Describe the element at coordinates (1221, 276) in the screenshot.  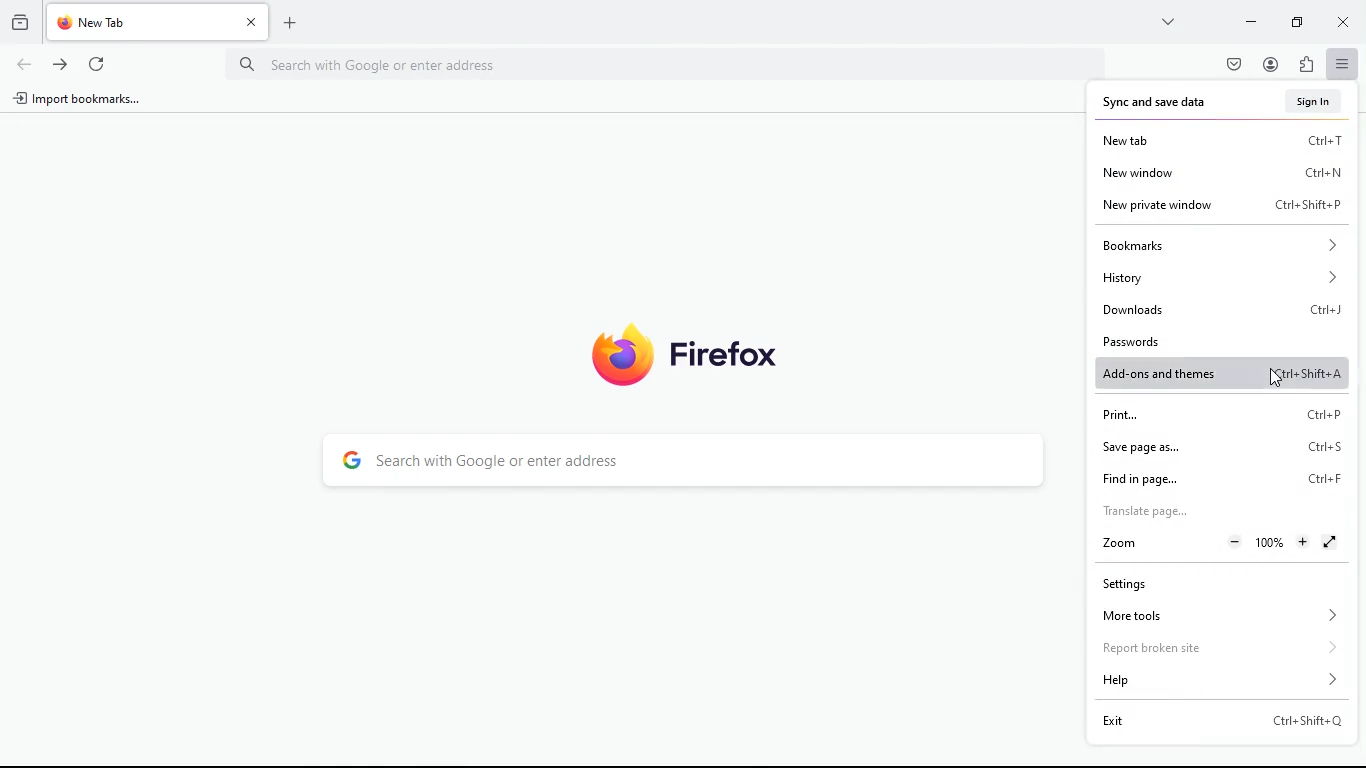
I see `history` at that location.